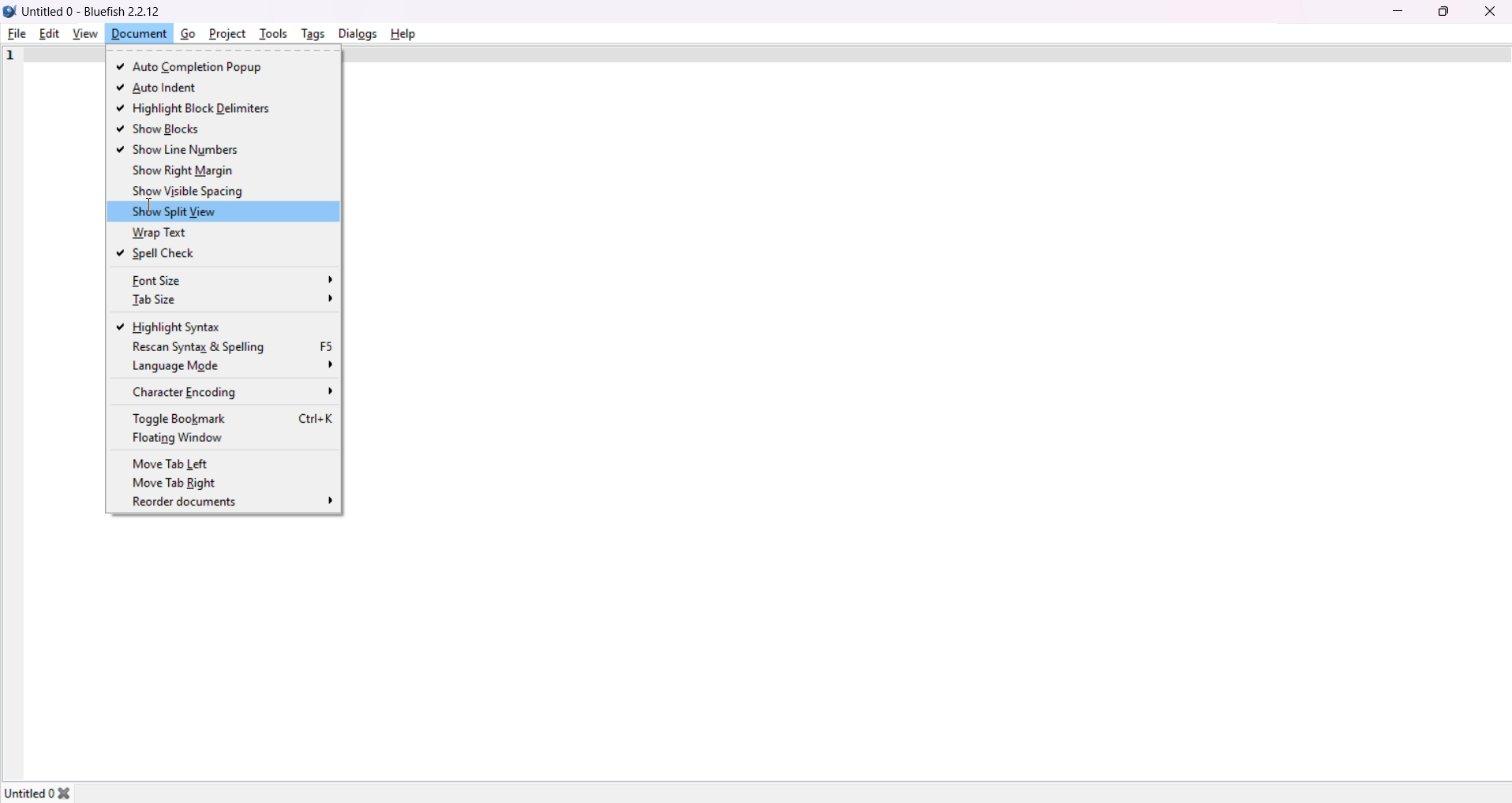 Image resolution: width=1512 pixels, height=803 pixels. Describe the element at coordinates (17, 34) in the screenshot. I see `file` at that location.